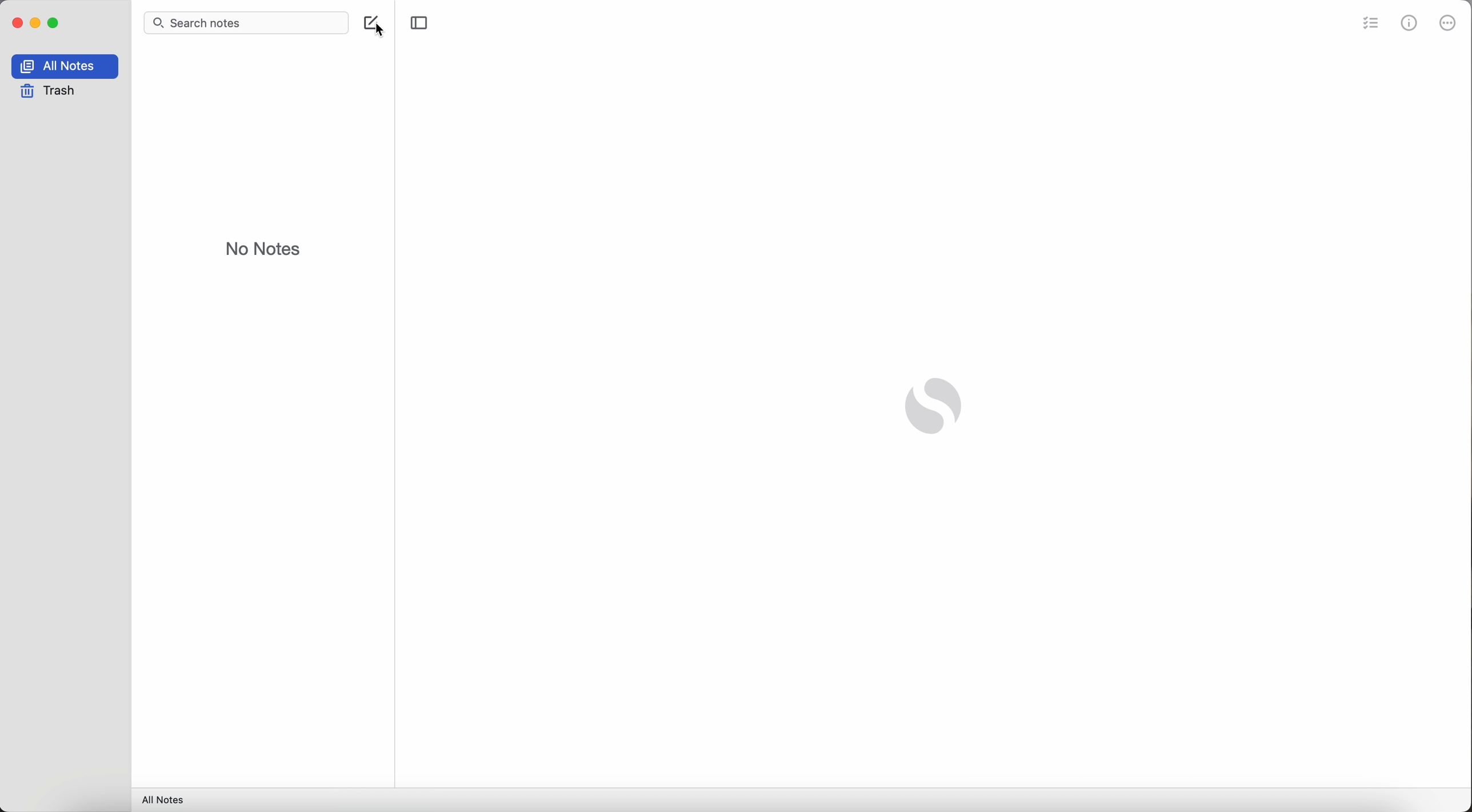 This screenshot has height=812, width=1472. Describe the element at coordinates (55, 23) in the screenshot. I see `maximize` at that location.